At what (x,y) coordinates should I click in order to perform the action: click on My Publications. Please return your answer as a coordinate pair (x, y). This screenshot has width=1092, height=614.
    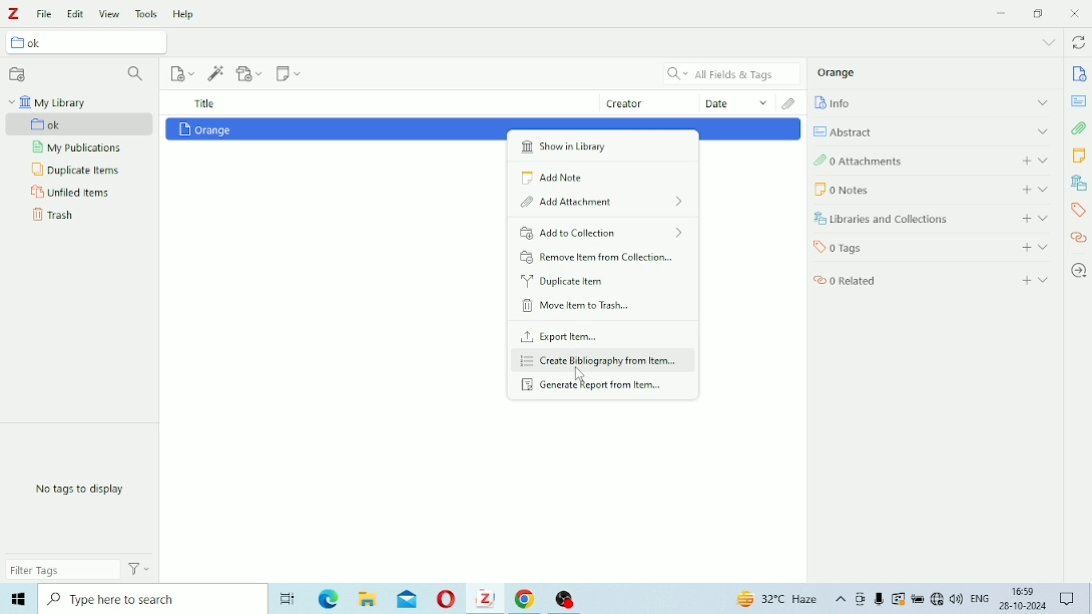
    Looking at the image, I should click on (76, 148).